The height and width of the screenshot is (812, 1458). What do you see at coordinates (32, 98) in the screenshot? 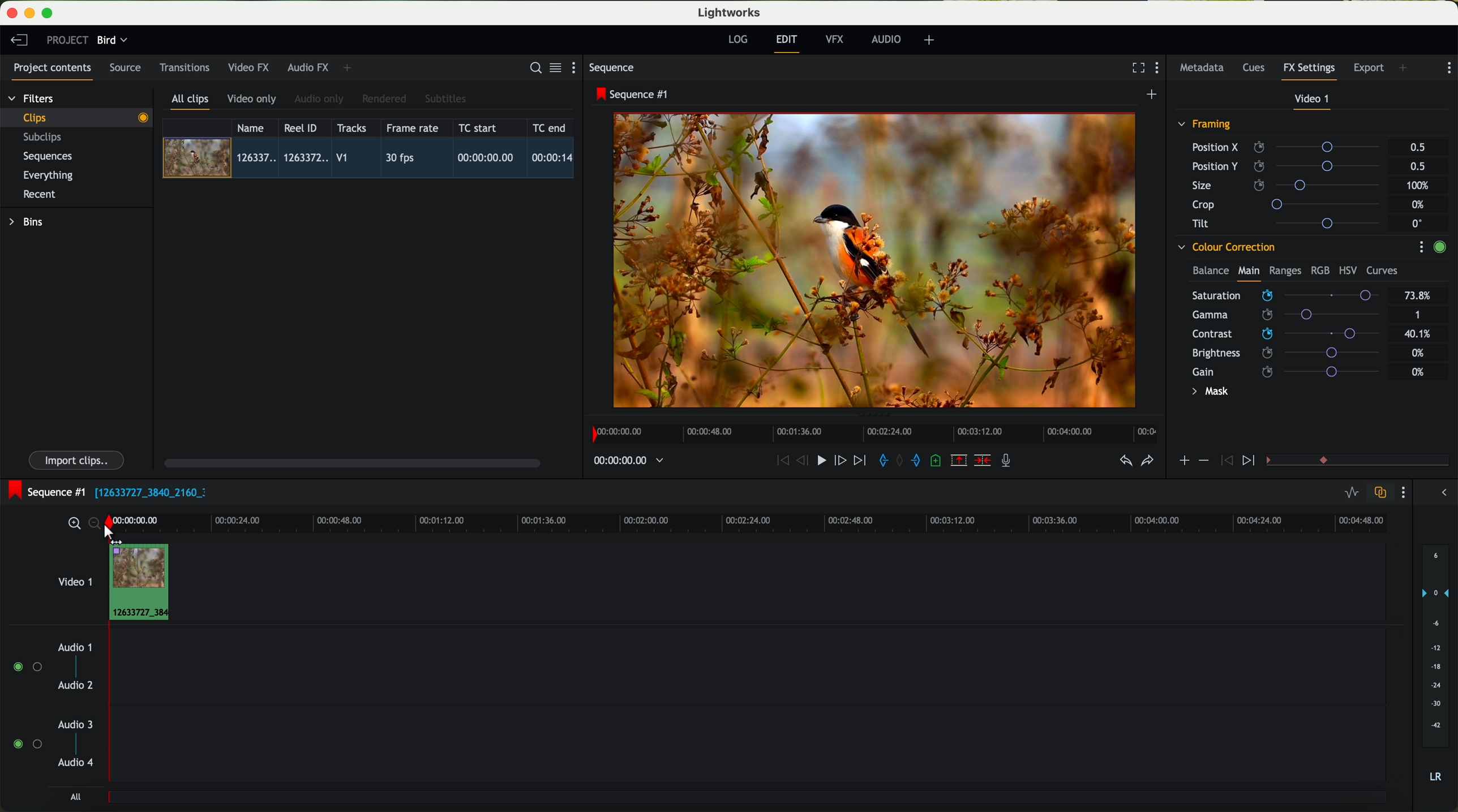
I see `filters` at bounding box center [32, 98].